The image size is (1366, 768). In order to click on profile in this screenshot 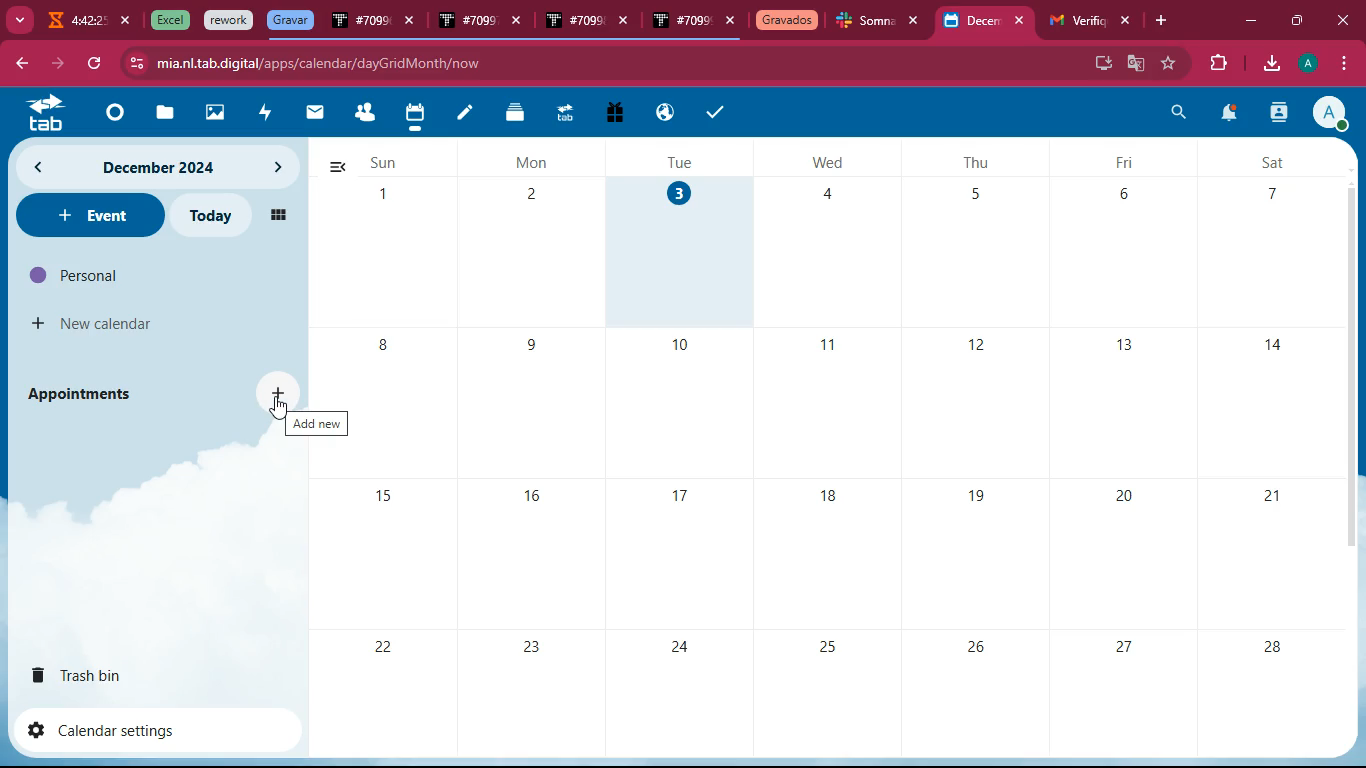, I will do `click(1311, 63)`.